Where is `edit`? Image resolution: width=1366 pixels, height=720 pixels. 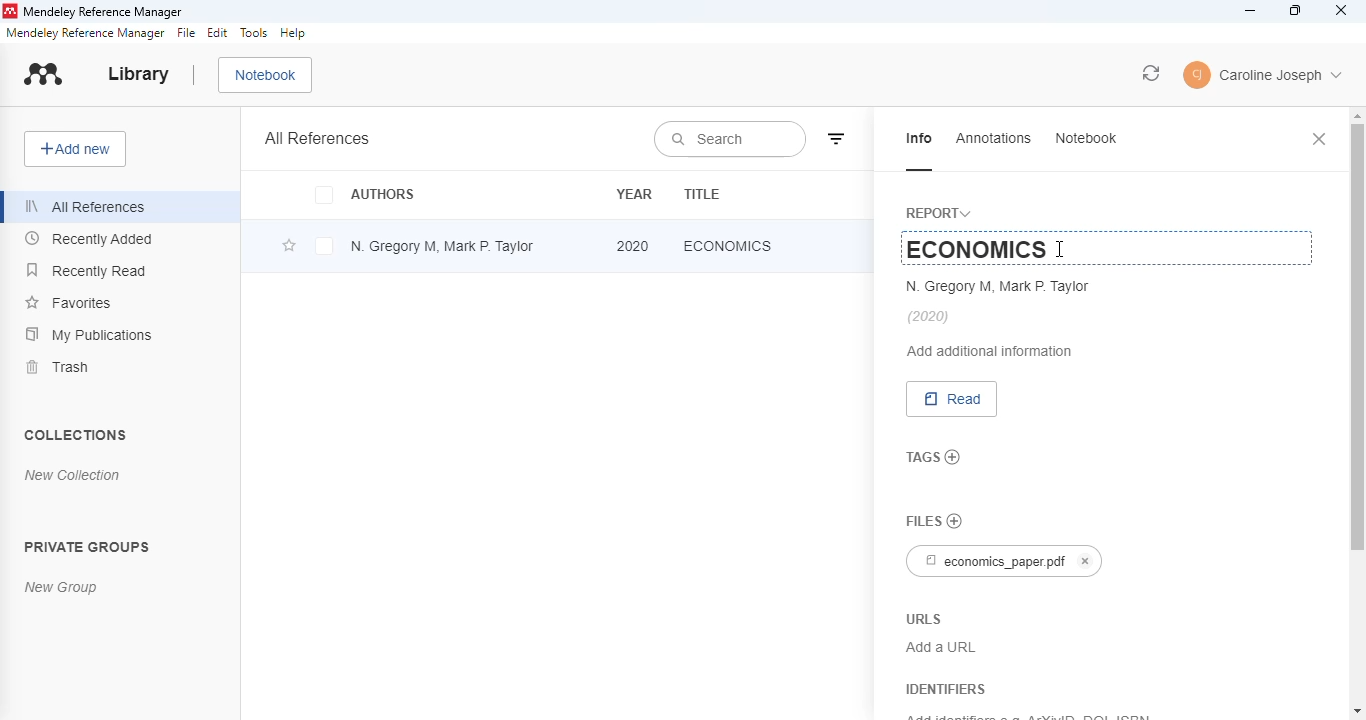 edit is located at coordinates (217, 33).